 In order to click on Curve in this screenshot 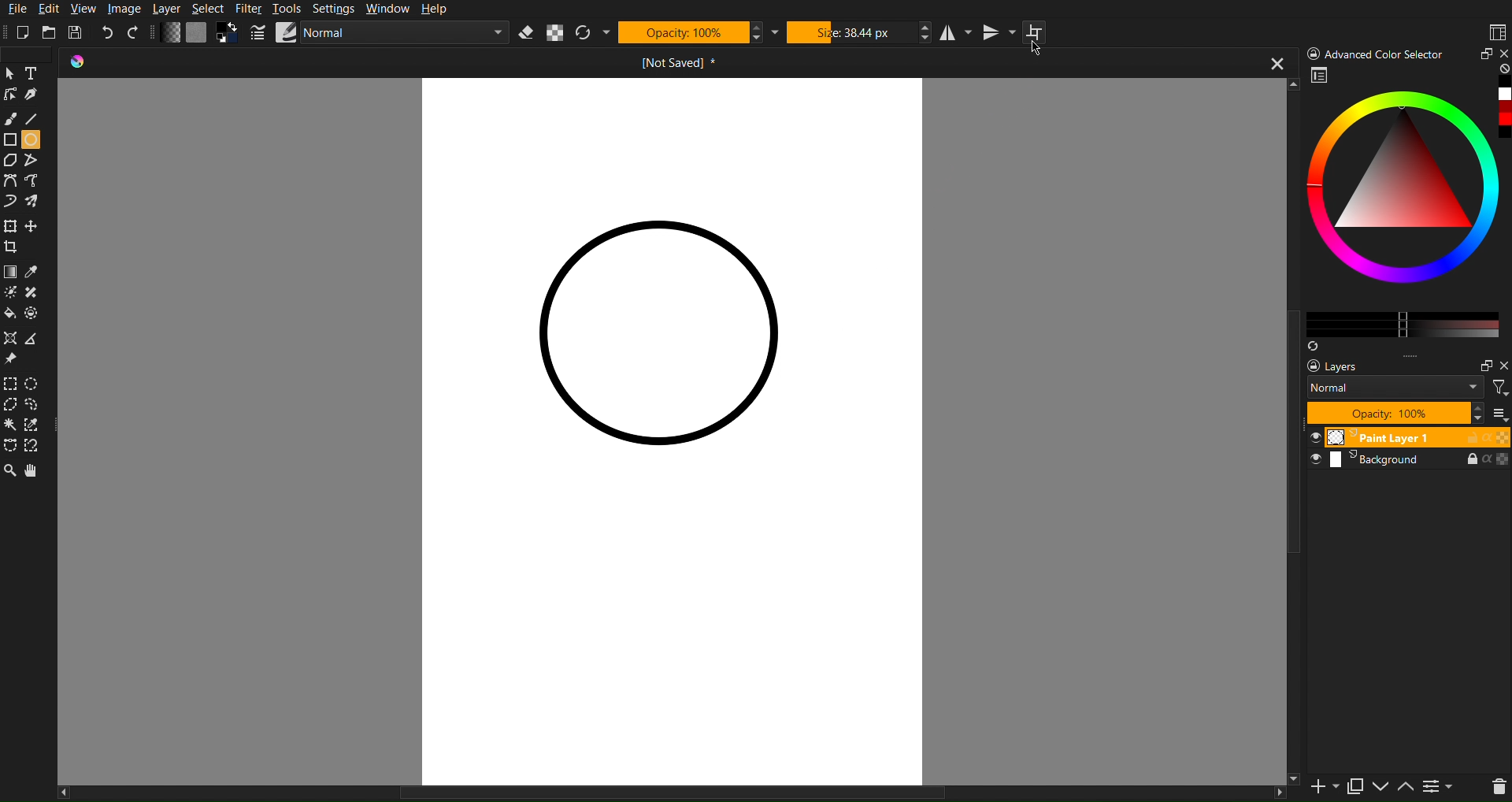, I will do `click(9, 201)`.